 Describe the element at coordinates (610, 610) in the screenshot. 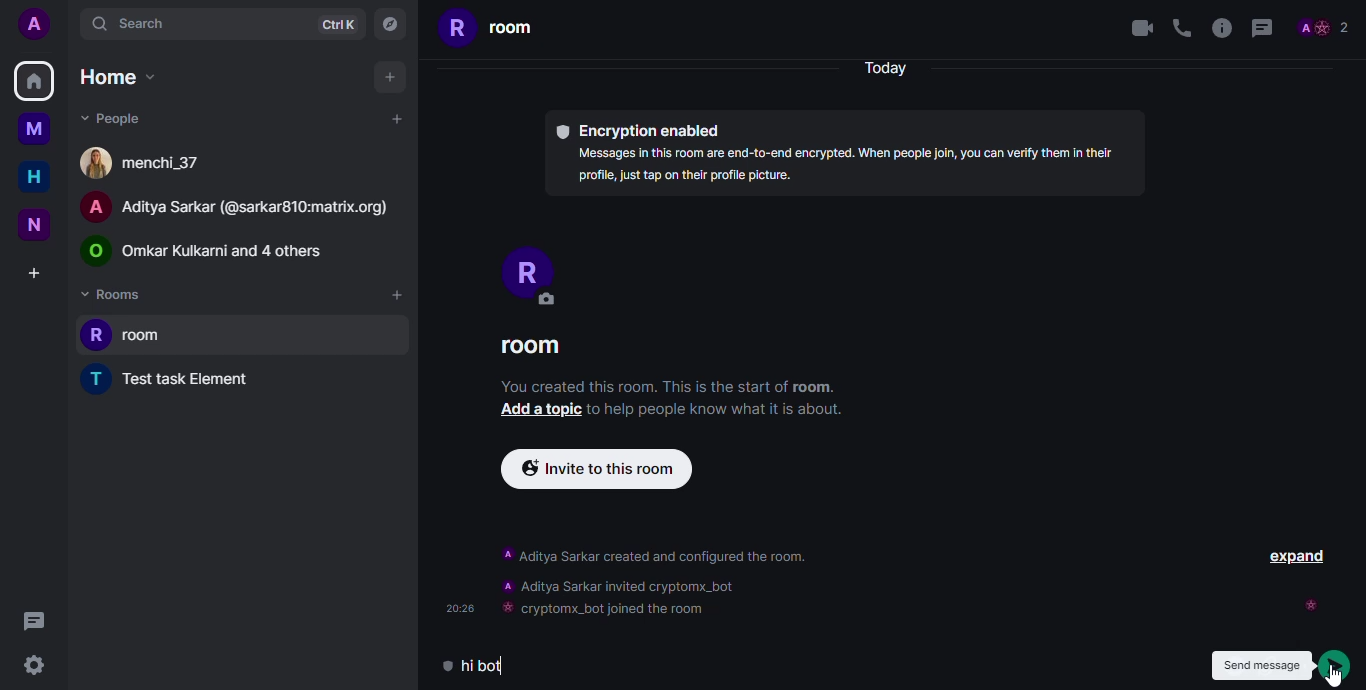

I see `bot joined` at that location.